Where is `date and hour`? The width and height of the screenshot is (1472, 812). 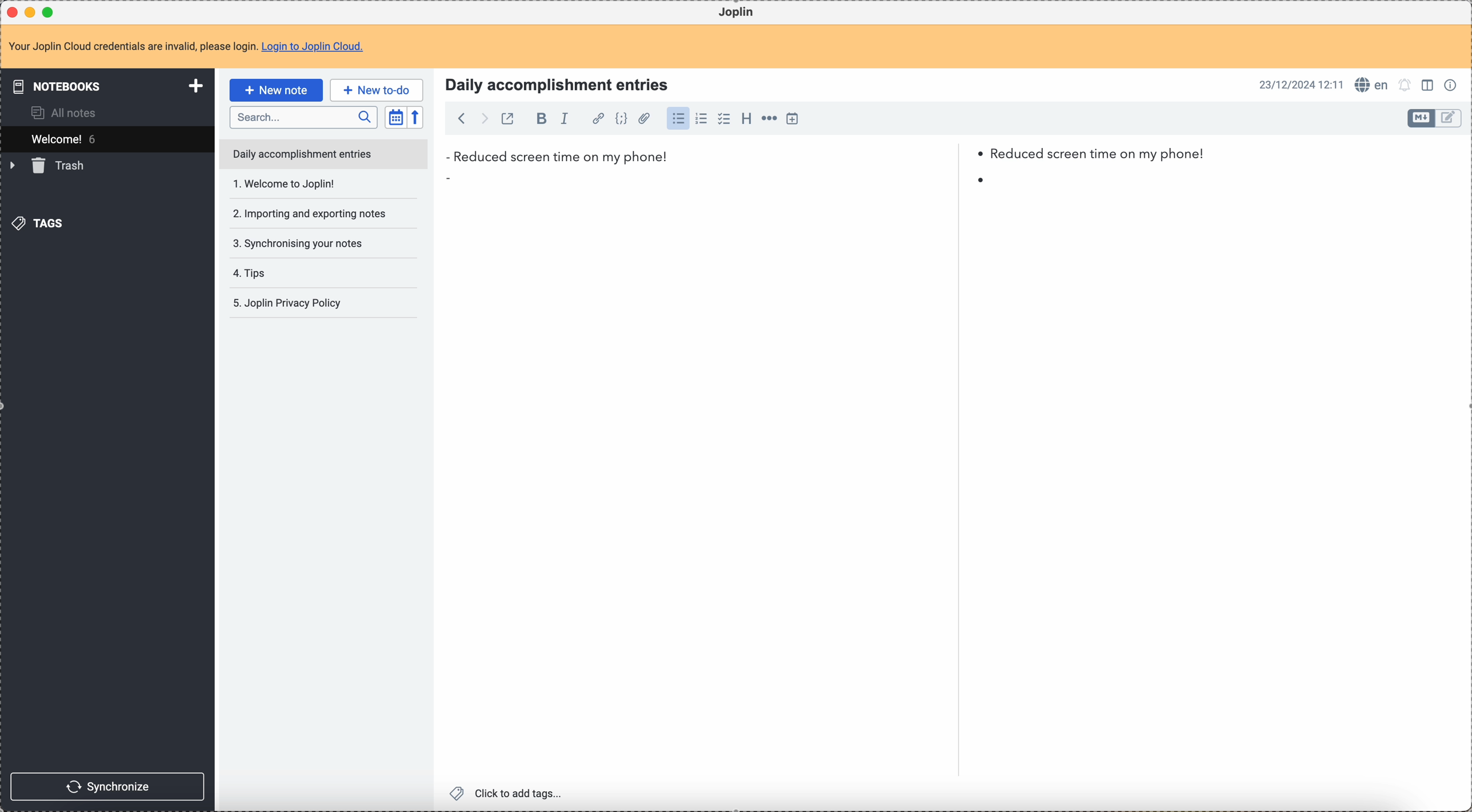
date and hour is located at coordinates (1299, 85).